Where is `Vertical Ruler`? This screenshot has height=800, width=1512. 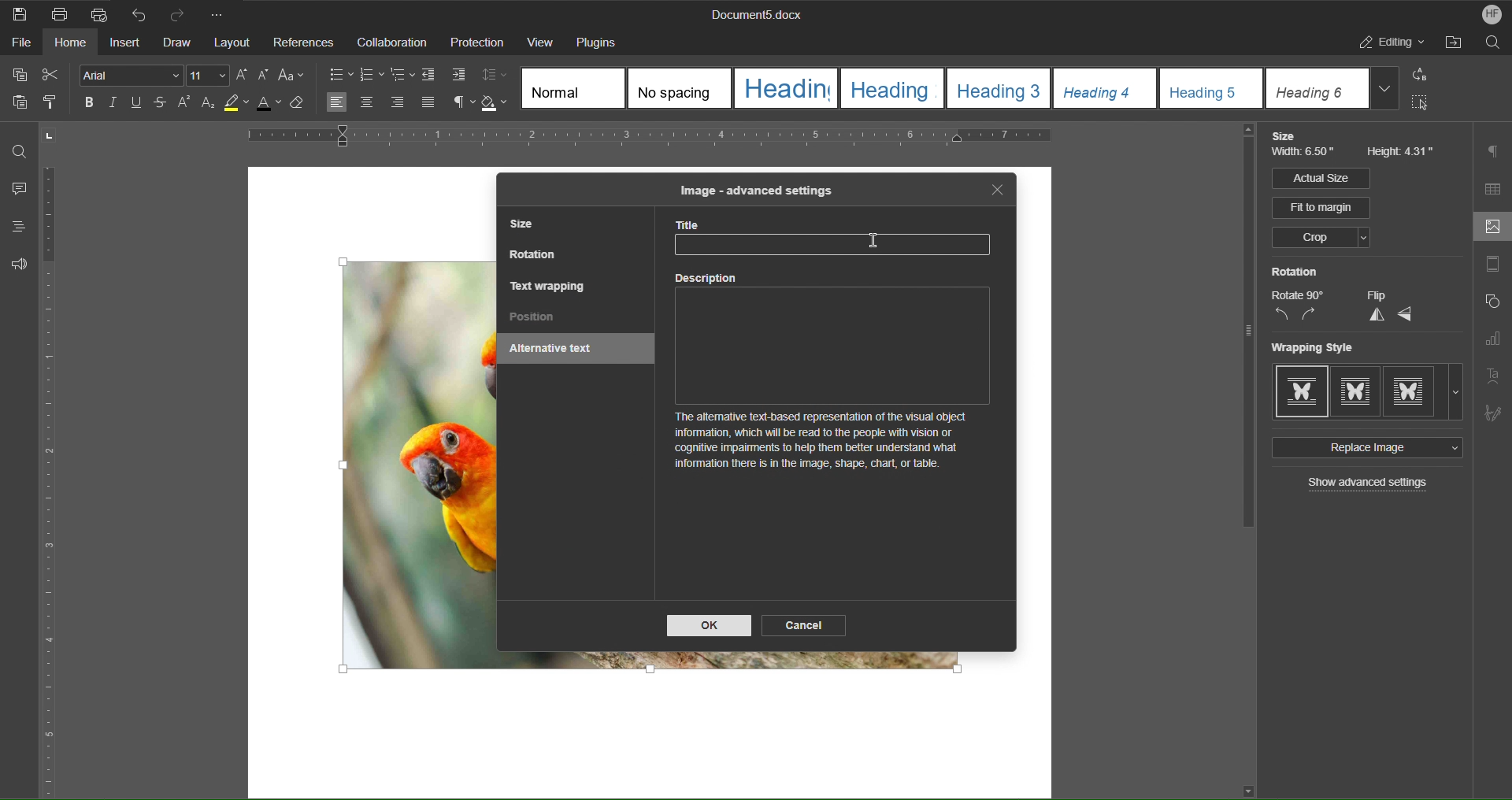
Vertical Ruler is located at coordinates (51, 483).